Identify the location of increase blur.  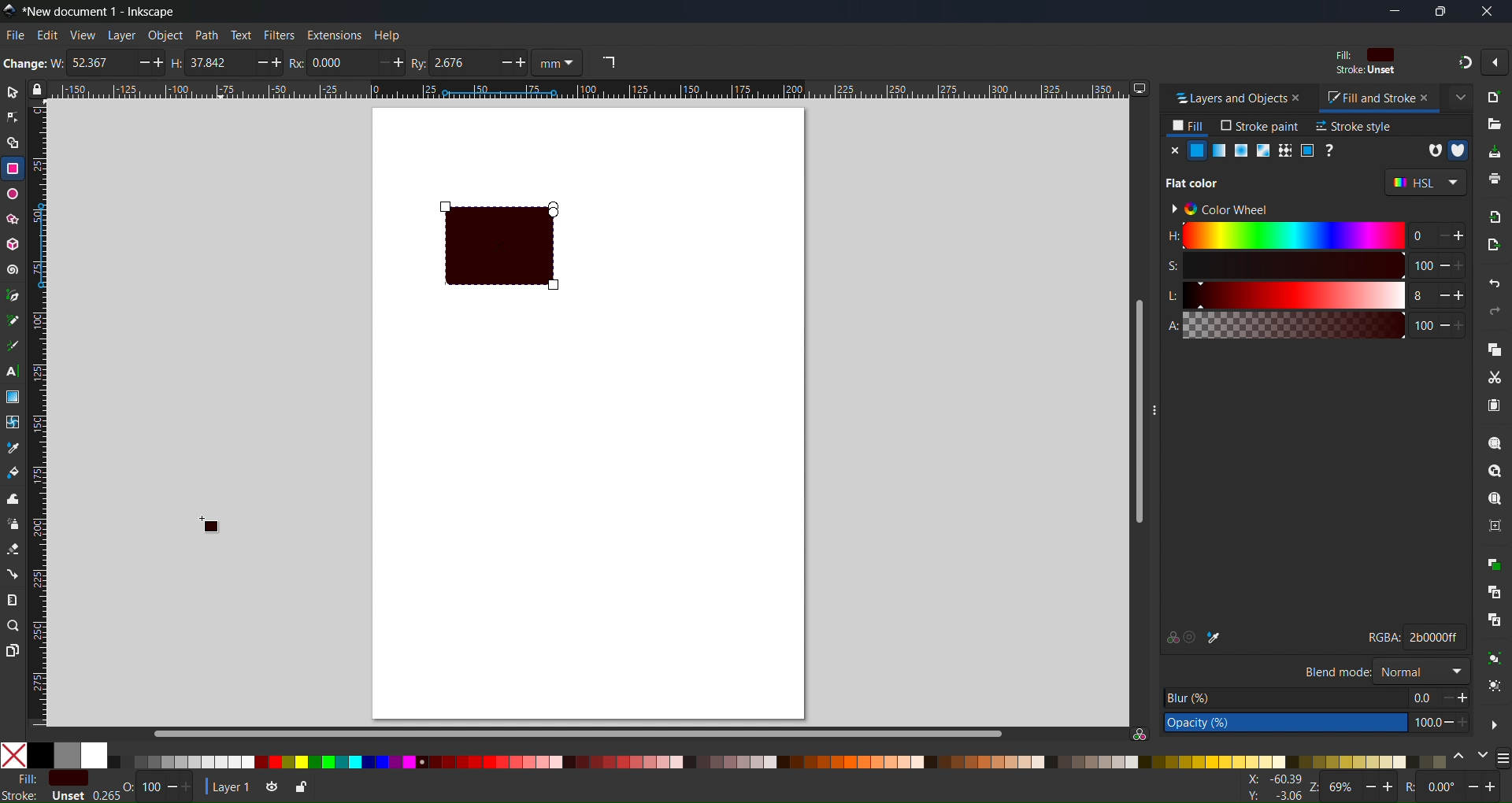
(1463, 697).